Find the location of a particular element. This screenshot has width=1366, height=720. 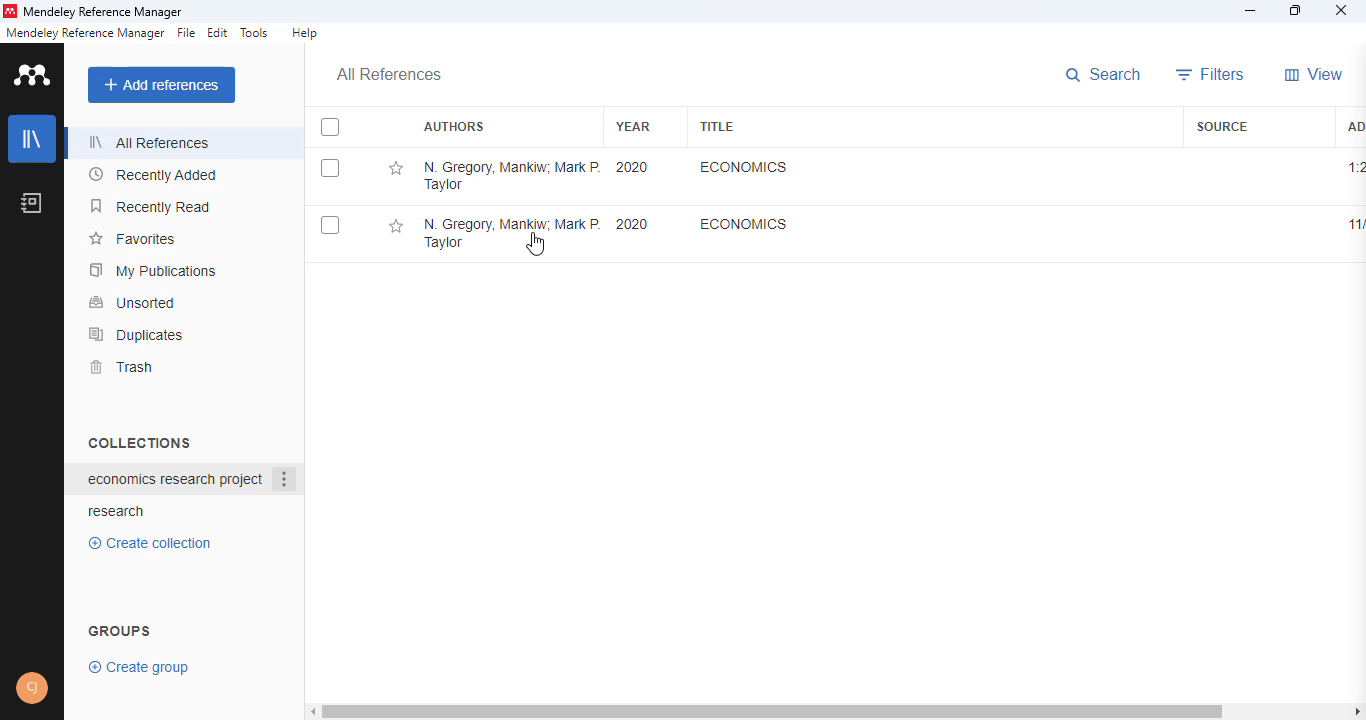

edit is located at coordinates (219, 33).